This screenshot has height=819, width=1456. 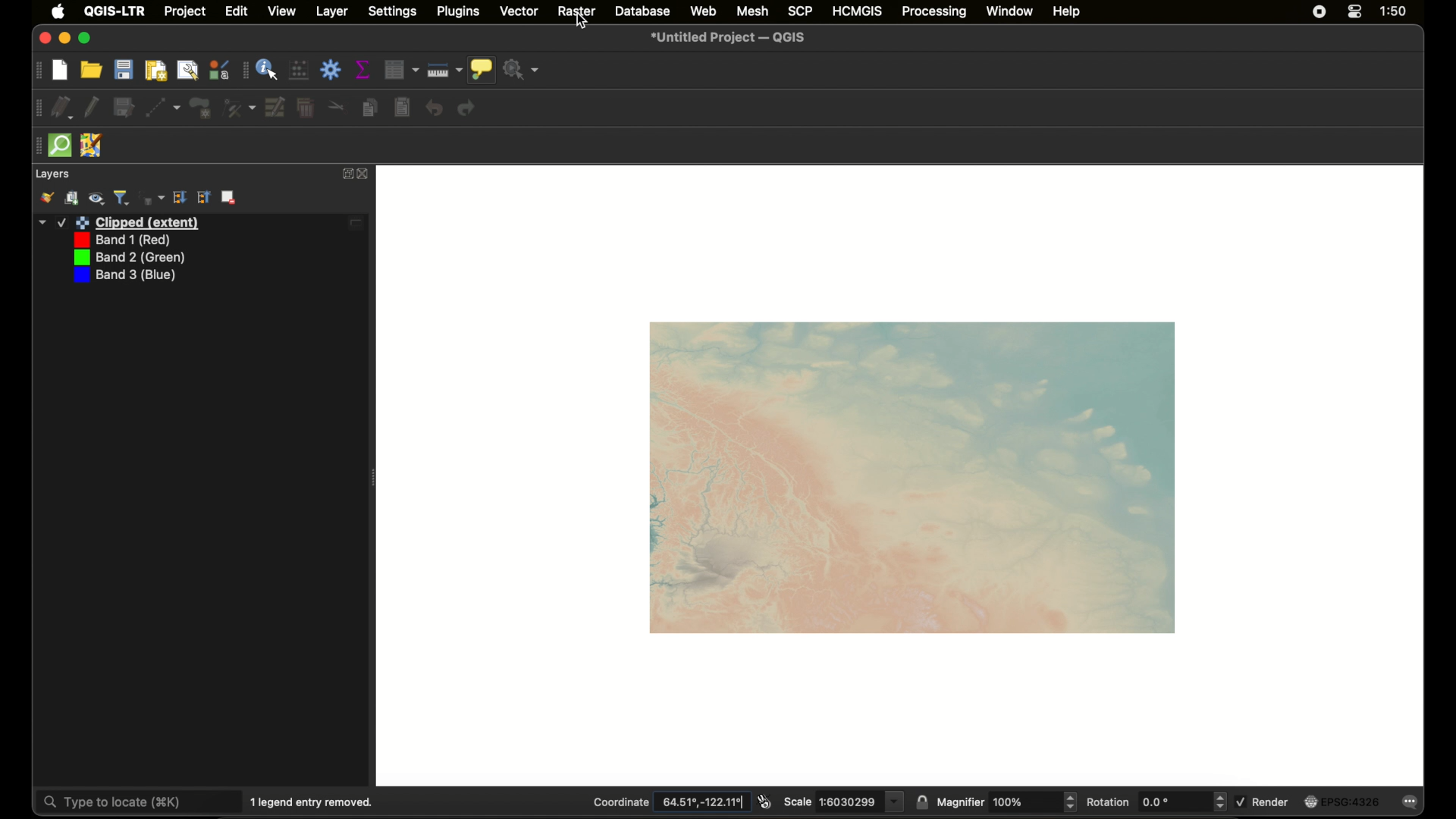 What do you see at coordinates (91, 146) in the screenshot?
I see `jsom remote` at bounding box center [91, 146].